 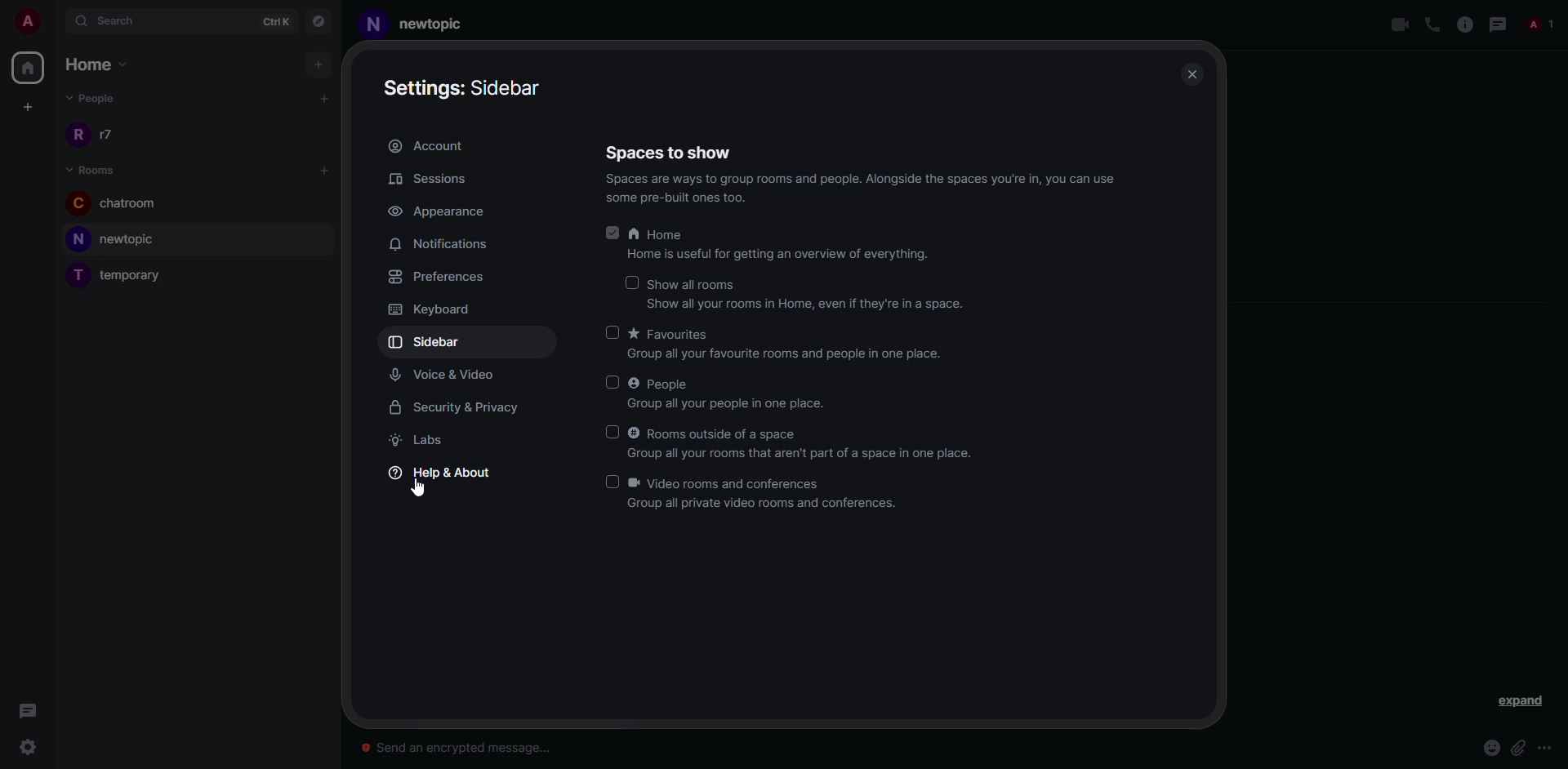 I want to click on selected, so click(x=611, y=229).